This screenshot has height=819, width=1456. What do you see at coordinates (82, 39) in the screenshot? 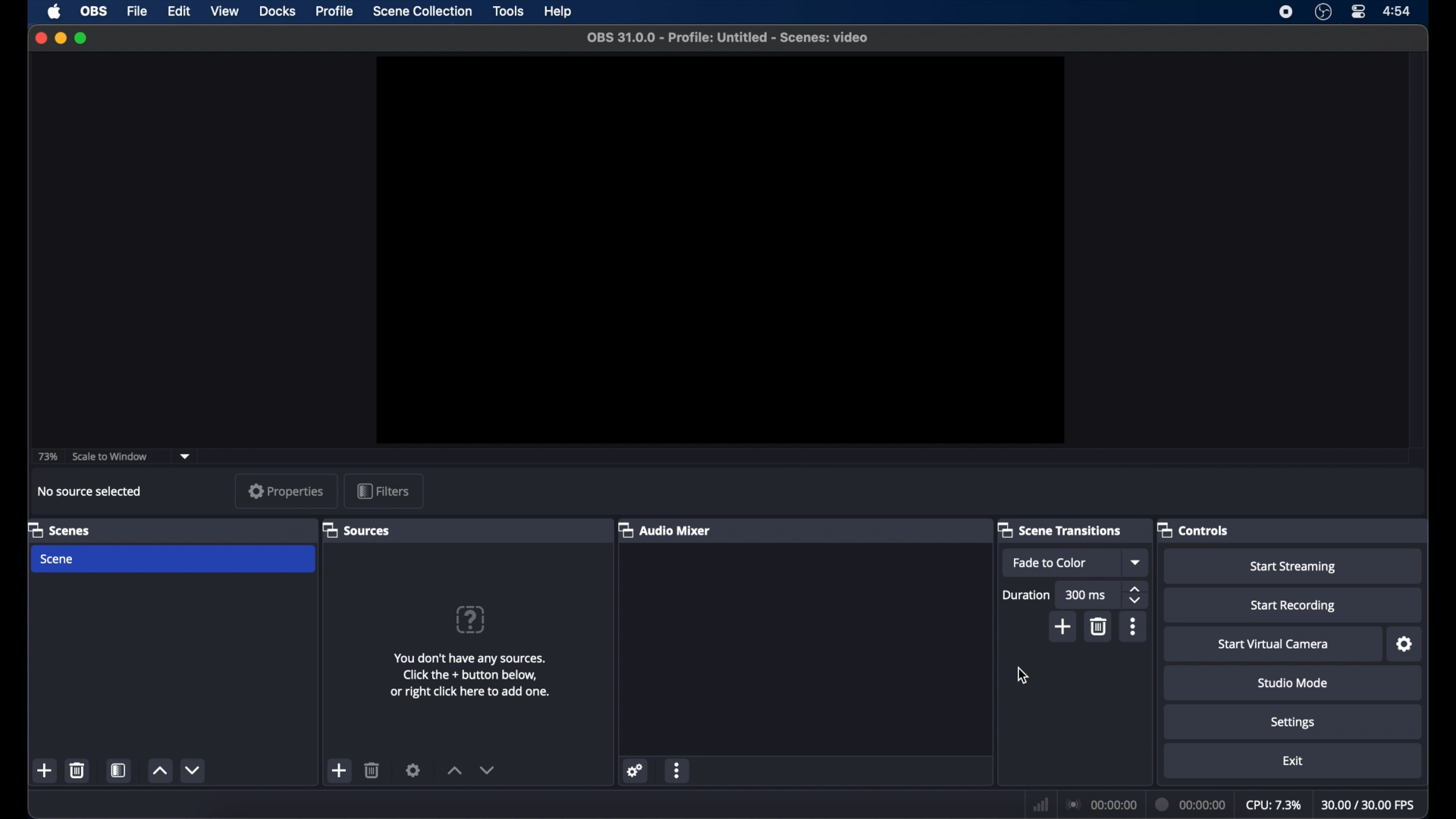
I see `maximize` at bounding box center [82, 39].